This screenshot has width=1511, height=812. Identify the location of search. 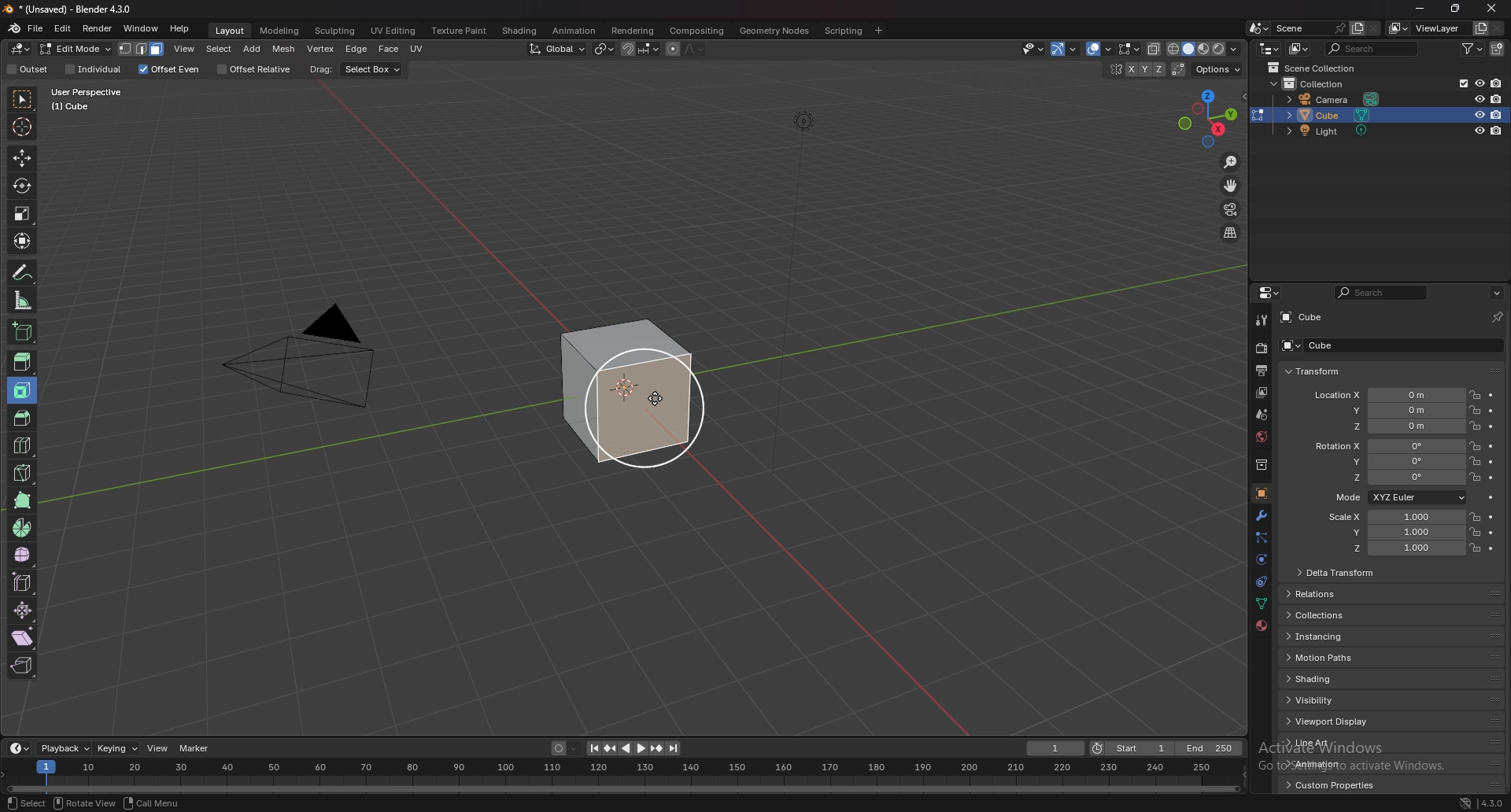
(1372, 48).